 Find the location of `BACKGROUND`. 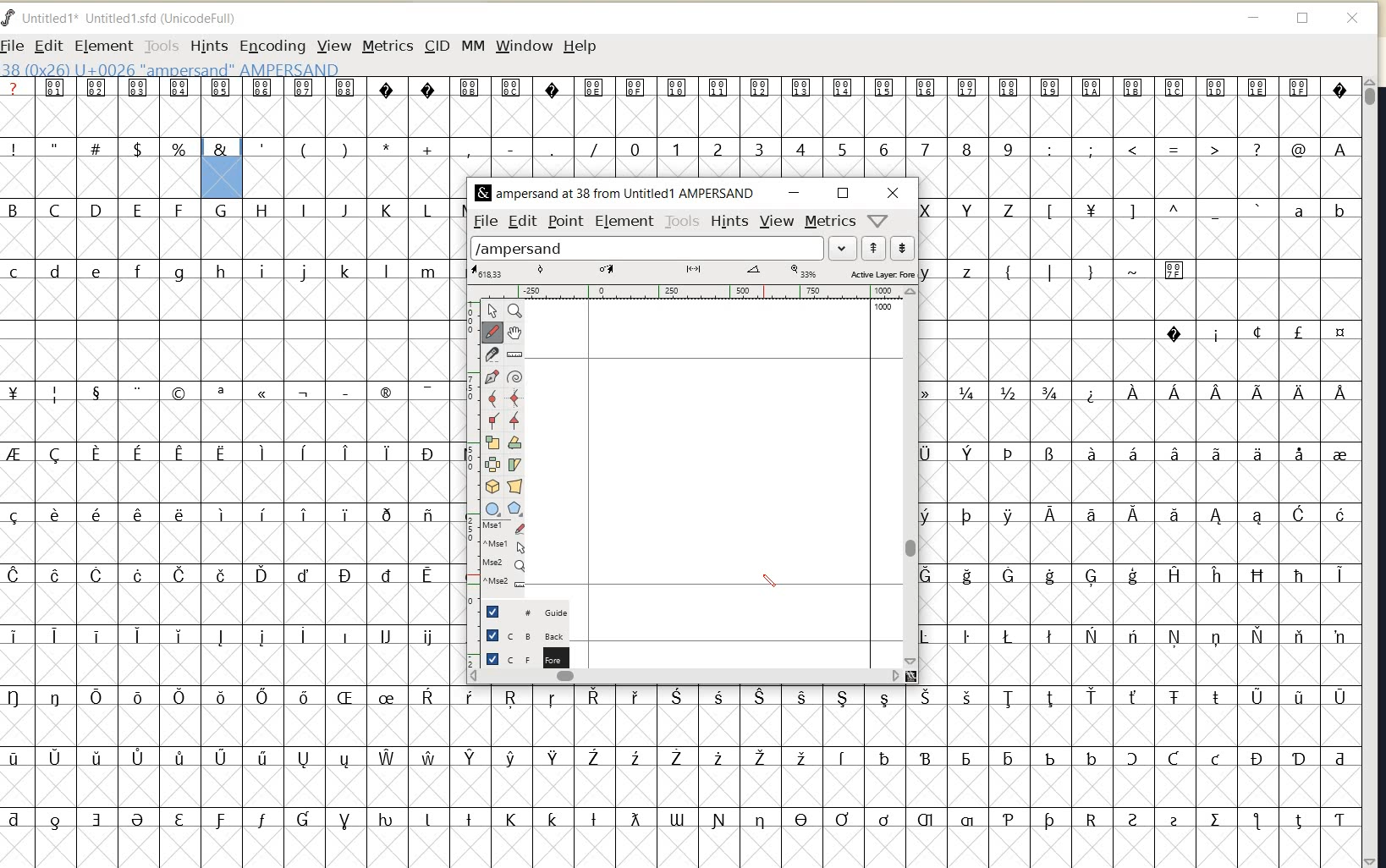

BACKGROUND is located at coordinates (517, 635).